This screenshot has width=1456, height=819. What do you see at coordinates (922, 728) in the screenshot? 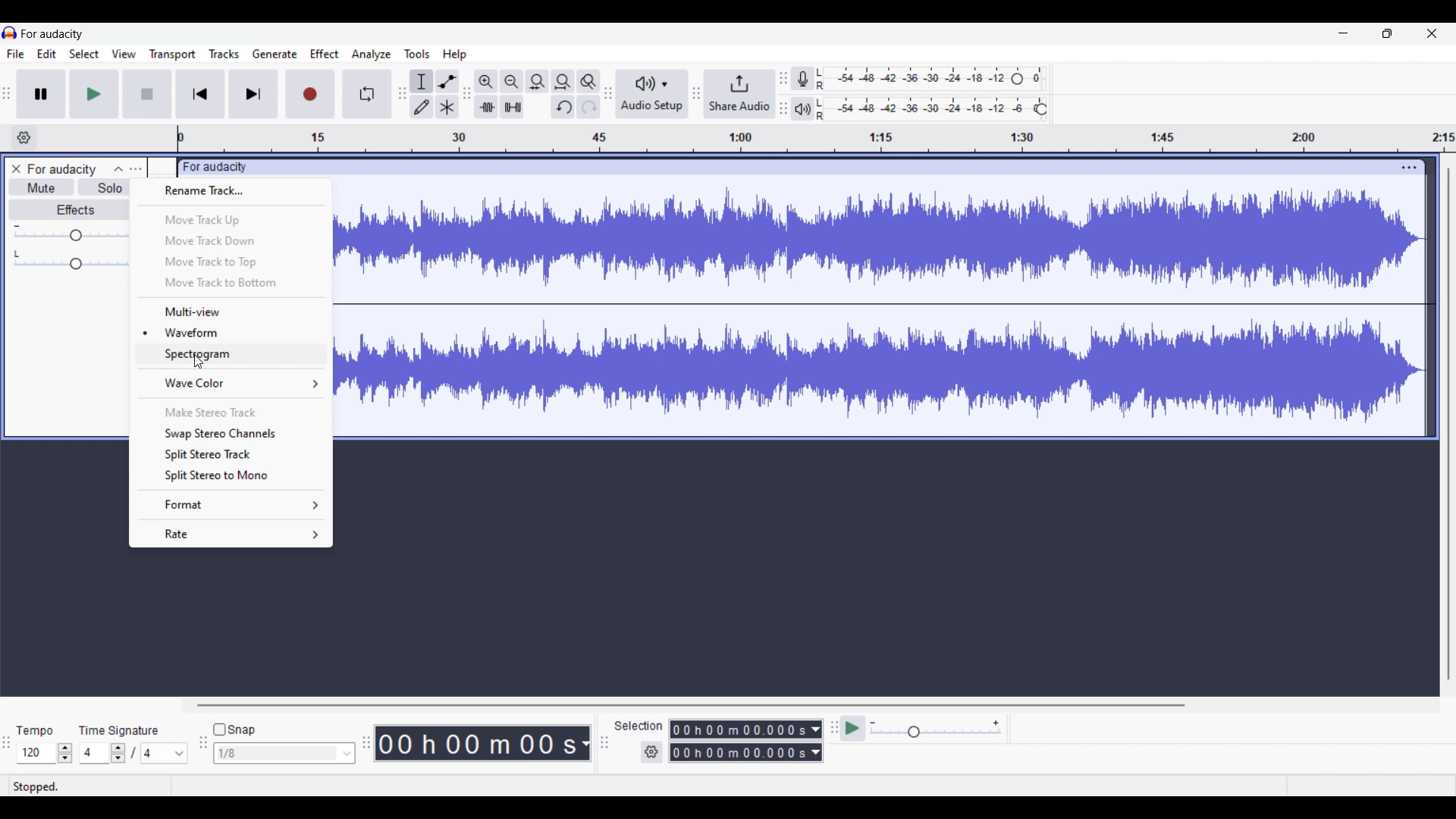
I see `Playback speed settings ` at bounding box center [922, 728].